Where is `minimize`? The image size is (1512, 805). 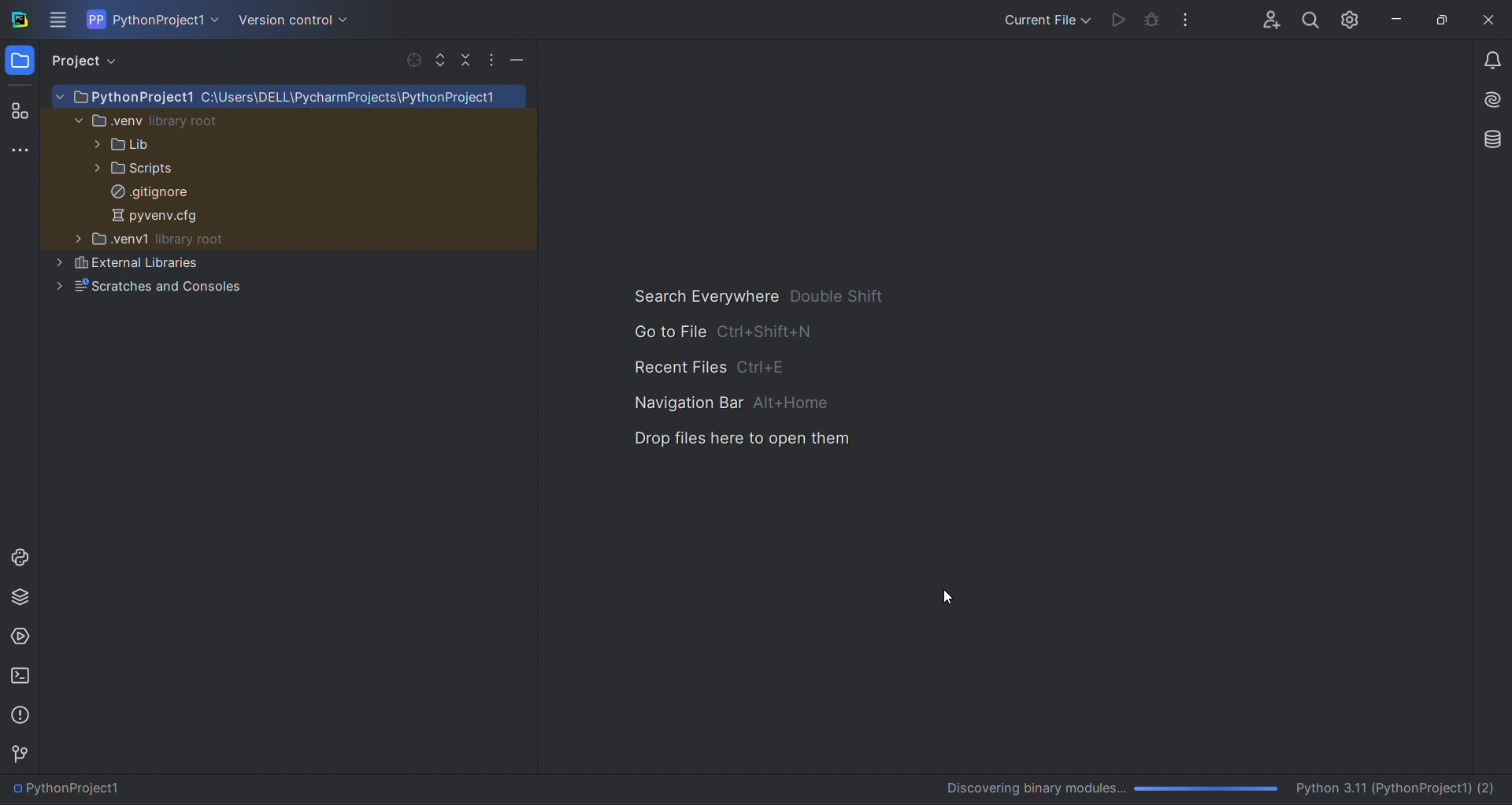 minimize is located at coordinates (1394, 19).